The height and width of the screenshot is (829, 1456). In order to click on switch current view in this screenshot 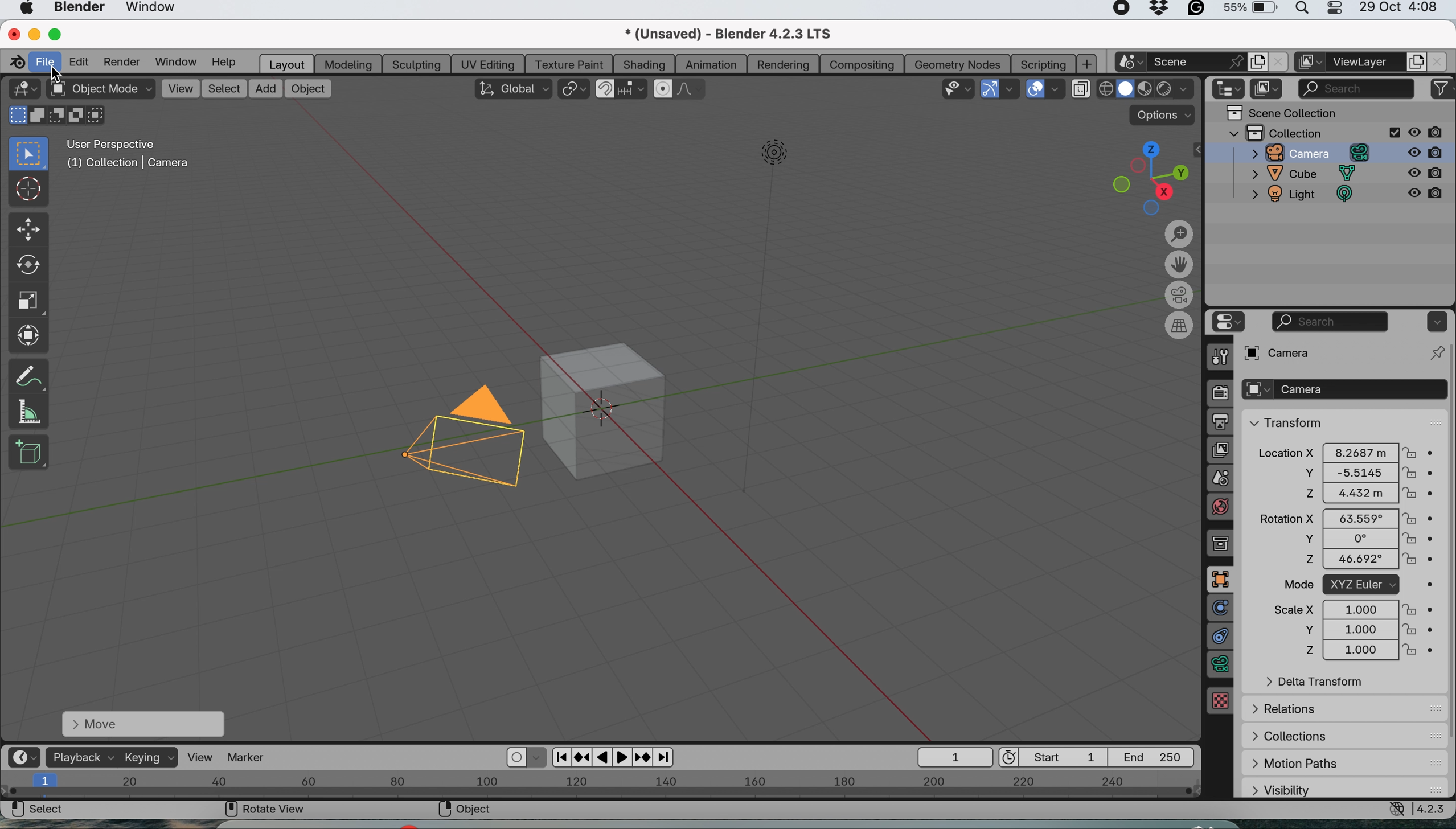, I will do `click(1177, 327)`.